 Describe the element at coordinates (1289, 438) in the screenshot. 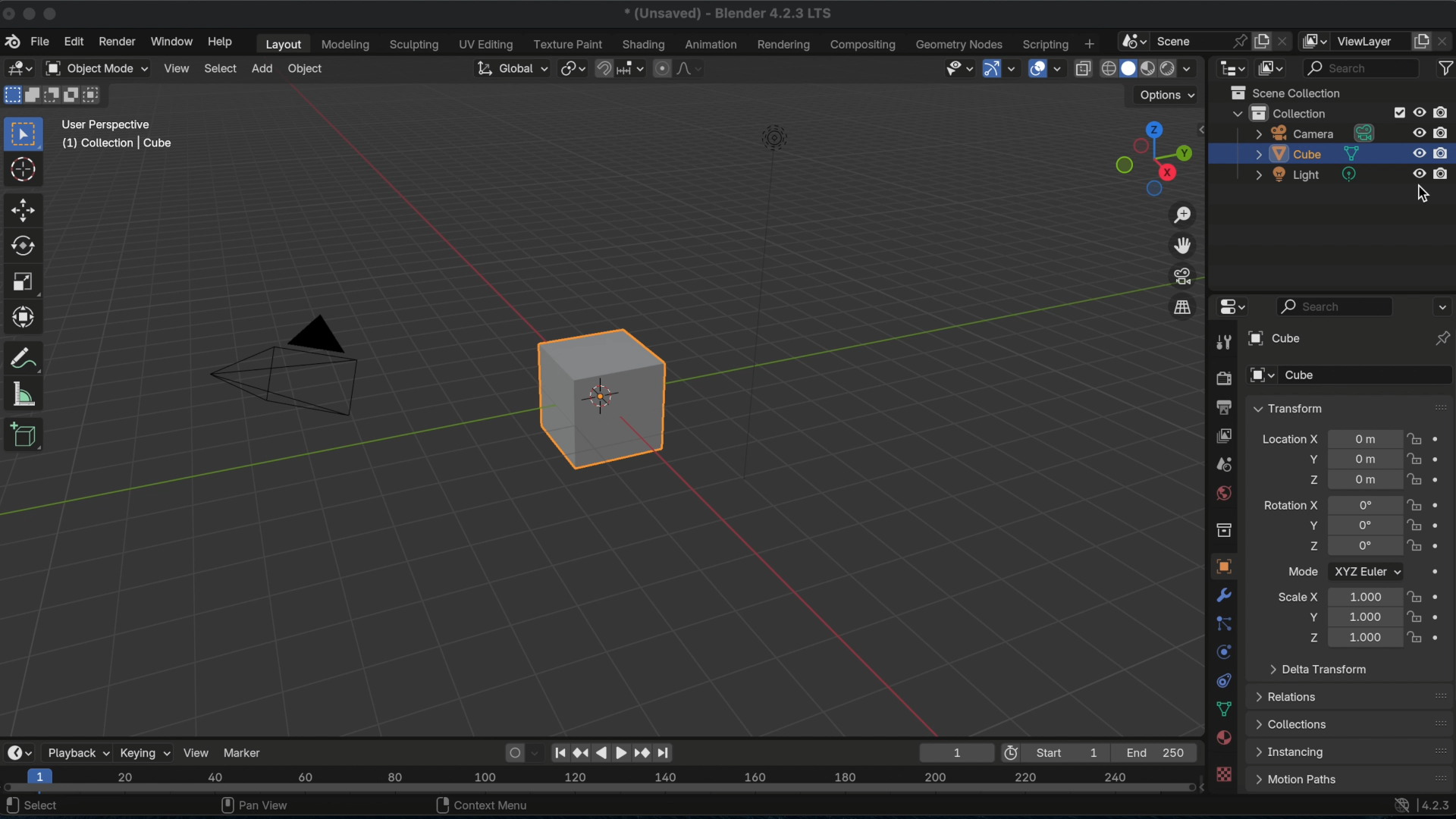

I see `location x ` at that location.